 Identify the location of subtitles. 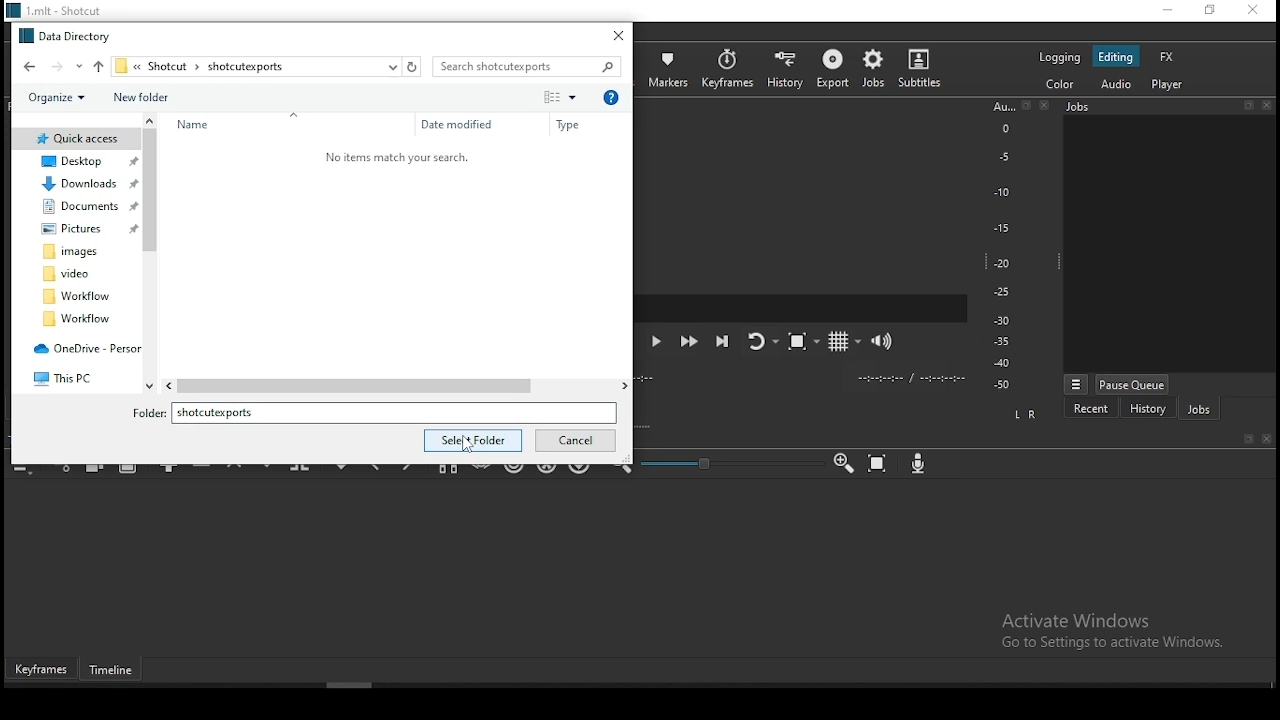
(924, 68).